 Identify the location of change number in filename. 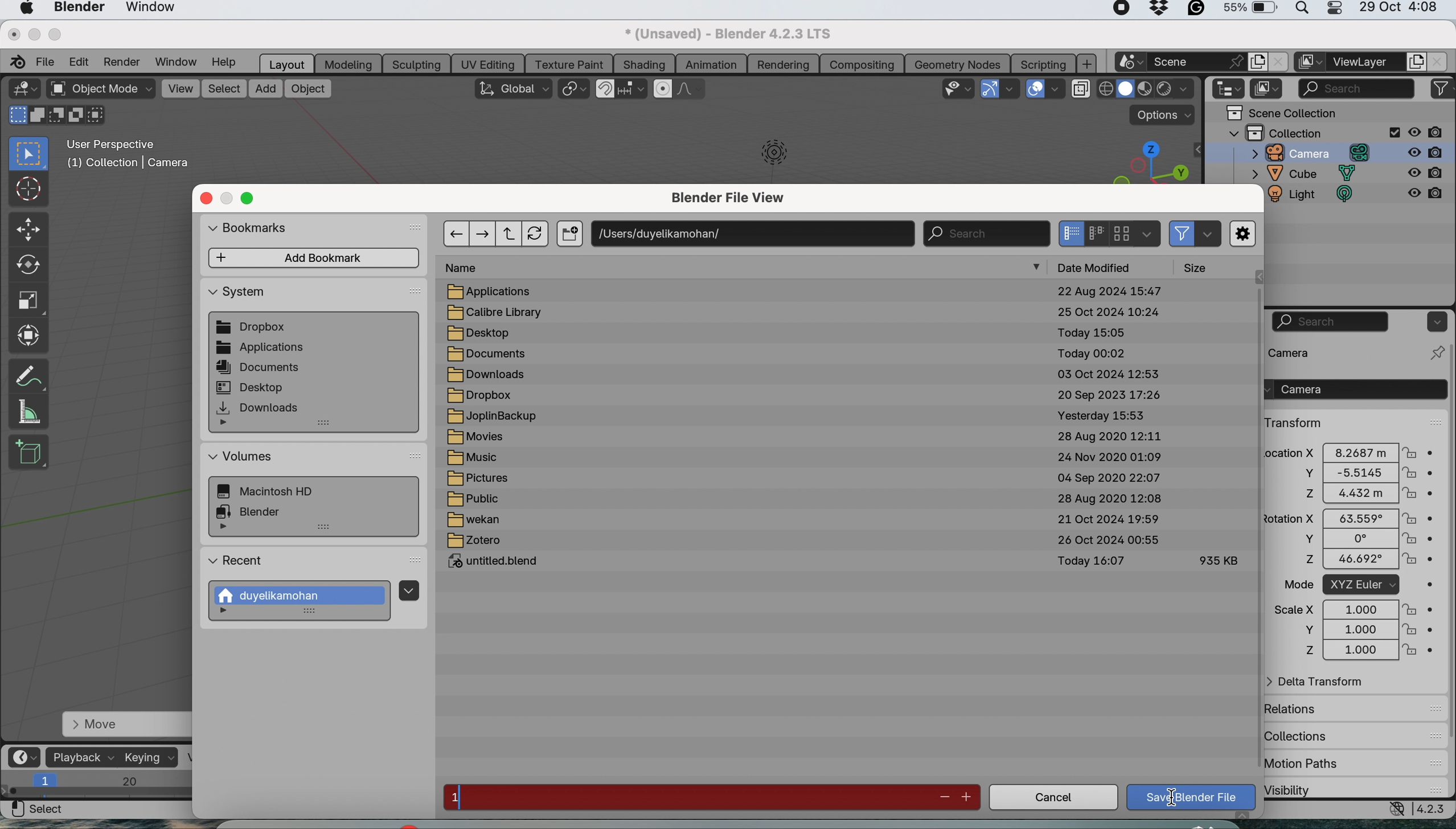
(955, 797).